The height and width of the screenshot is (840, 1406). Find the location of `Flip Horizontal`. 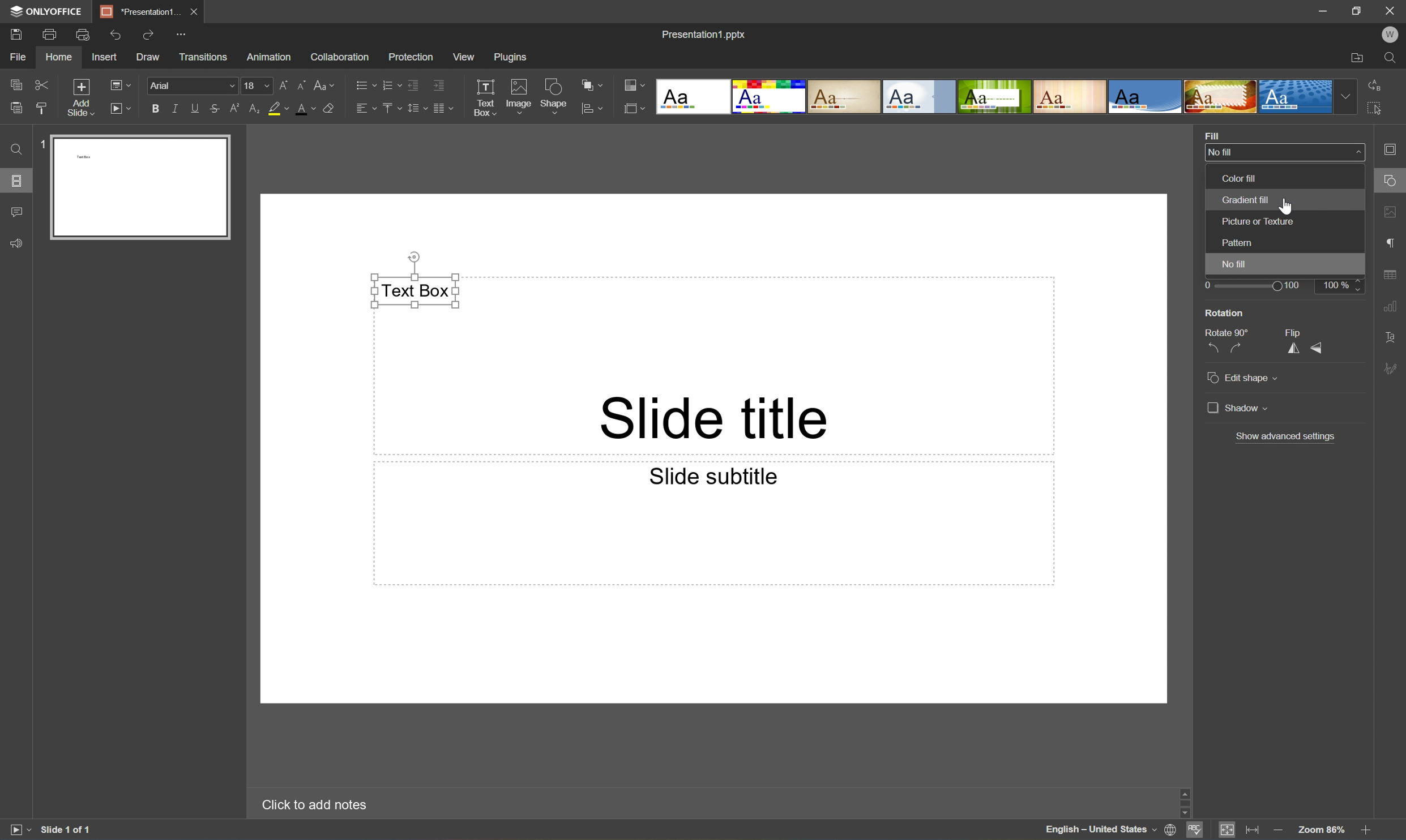

Flip Horizontal is located at coordinates (1291, 349).